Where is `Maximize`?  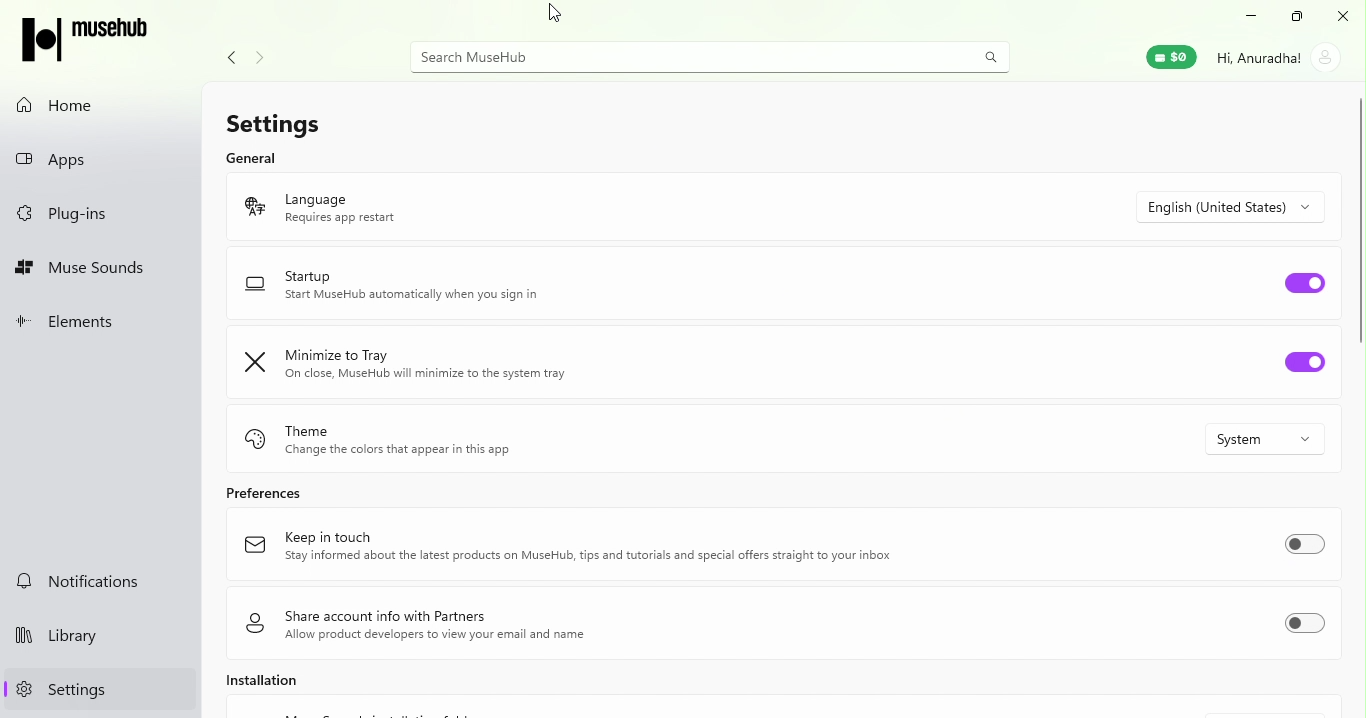
Maximize is located at coordinates (1295, 17).